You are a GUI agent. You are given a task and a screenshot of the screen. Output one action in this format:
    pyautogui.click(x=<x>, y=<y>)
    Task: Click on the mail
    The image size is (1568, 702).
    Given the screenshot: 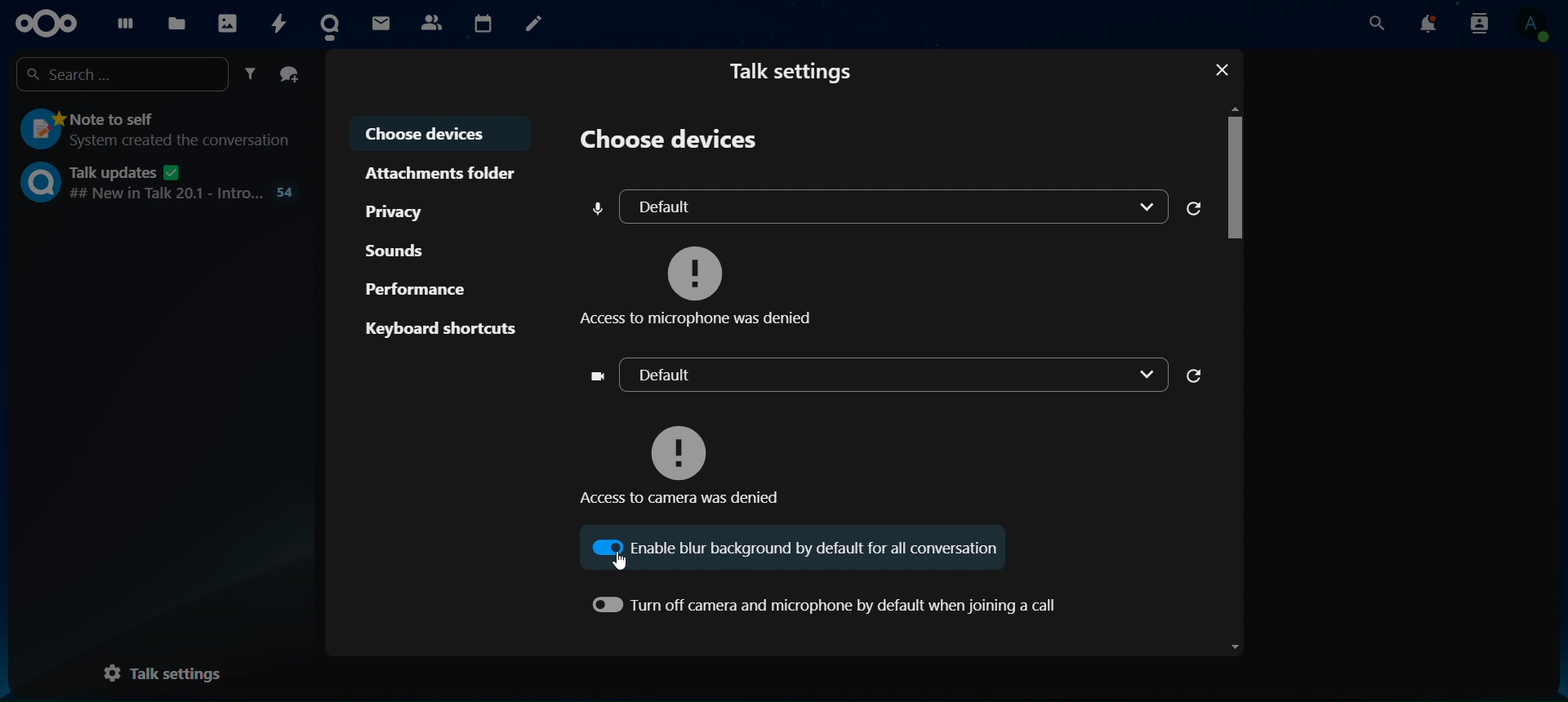 What is the action you would take?
    pyautogui.click(x=379, y=21)
    